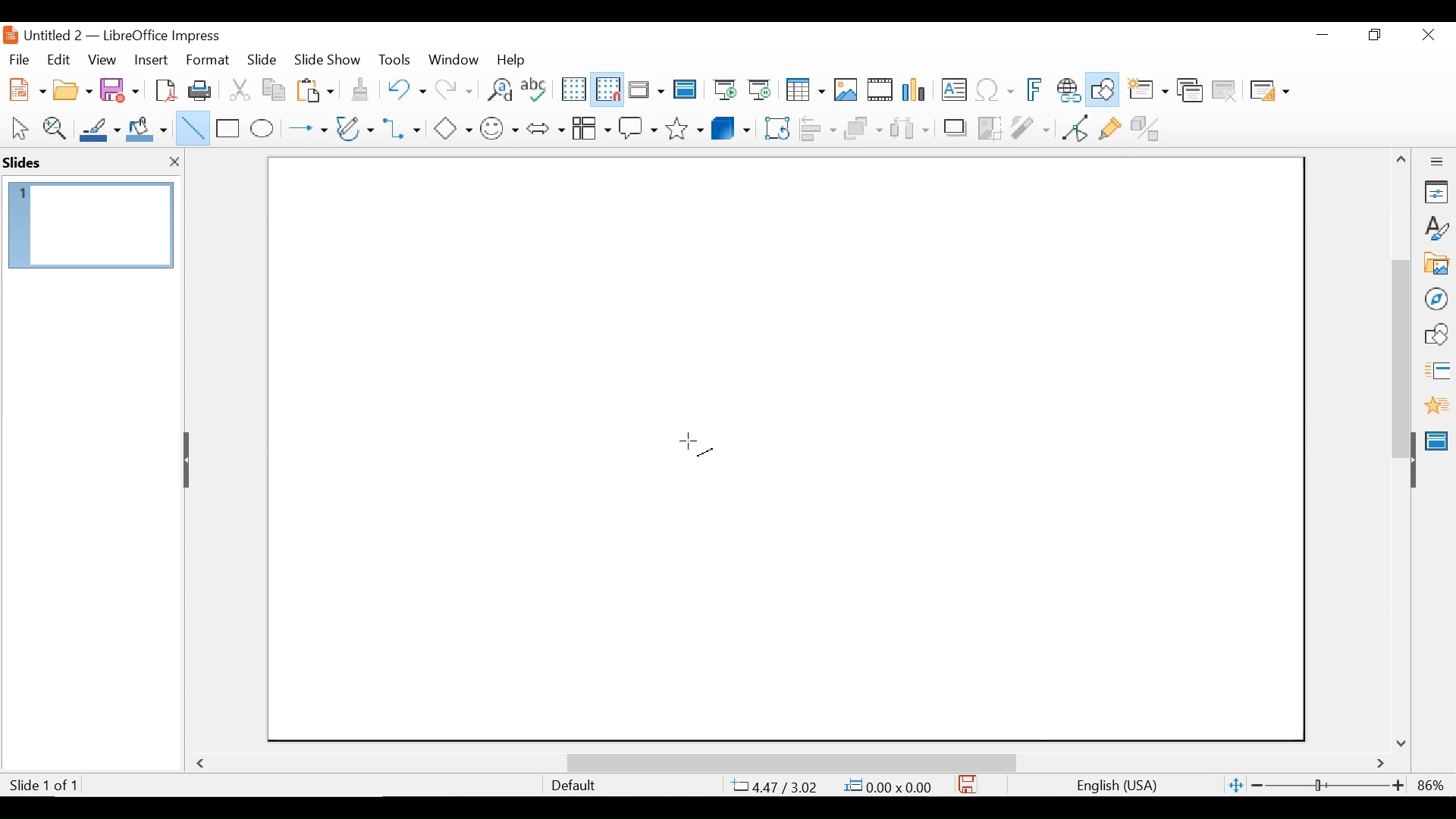 The image size is (1456, 819). What do you see at coordinates (1190, 91) in the screenshot?
I see `Duplicate slide` at bounding box center [1190, 91].